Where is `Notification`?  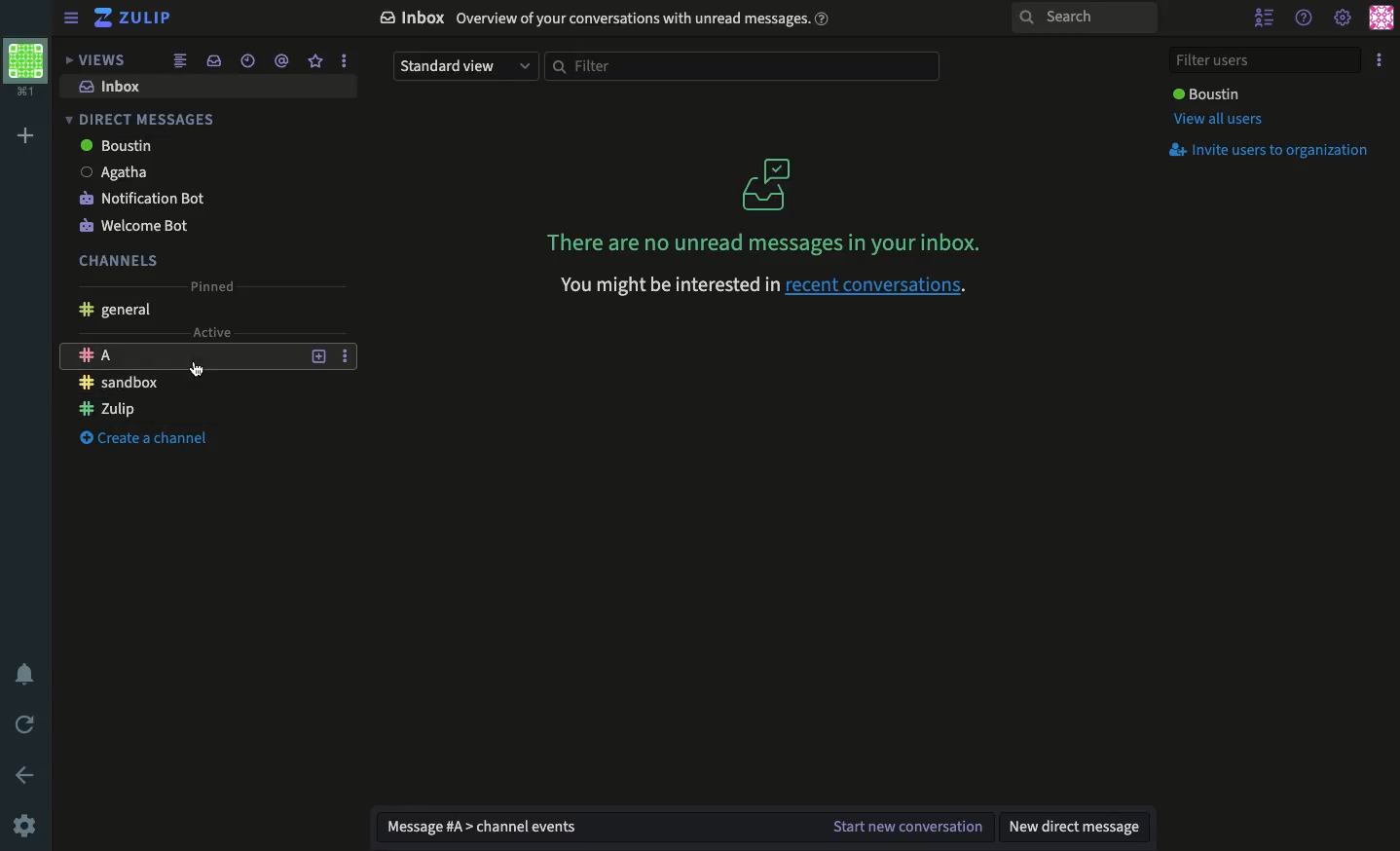 Notification is located at coordinates (25, 676).